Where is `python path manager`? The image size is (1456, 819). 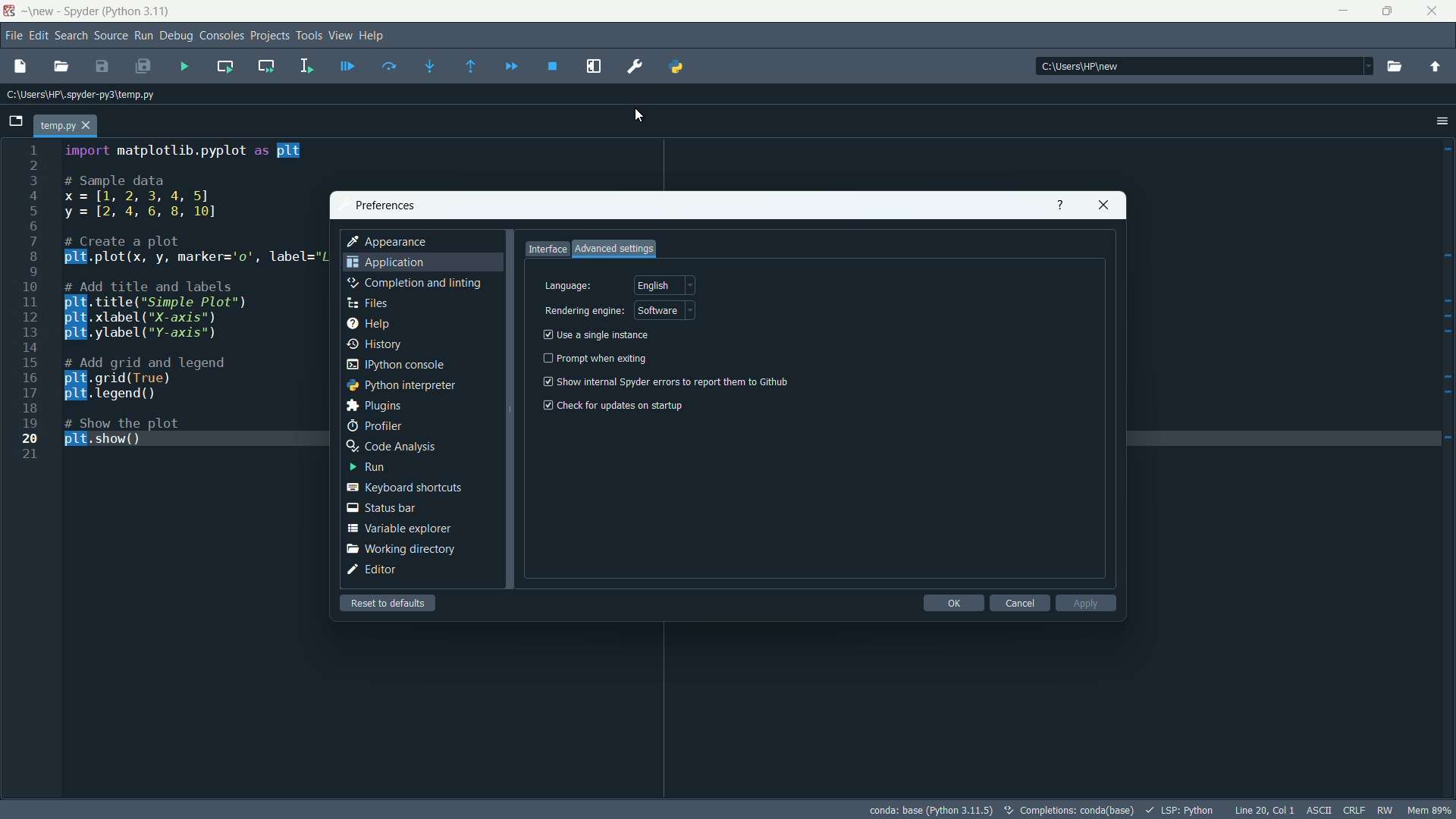
python path manager is located at coordinates (674, 67).